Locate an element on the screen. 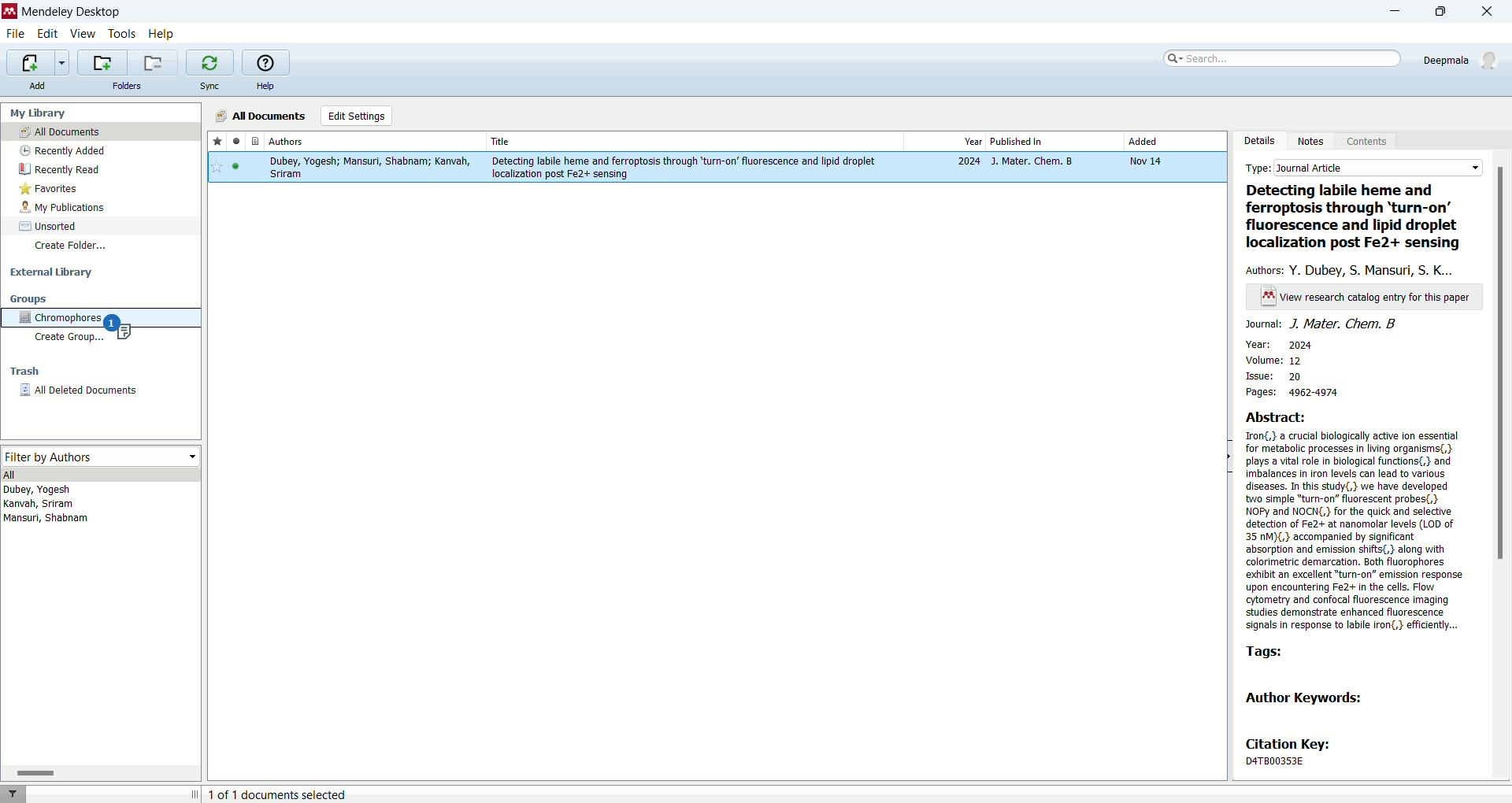 This screenshot has height=803, width=1512. filter is located at coordinates (14, 794).